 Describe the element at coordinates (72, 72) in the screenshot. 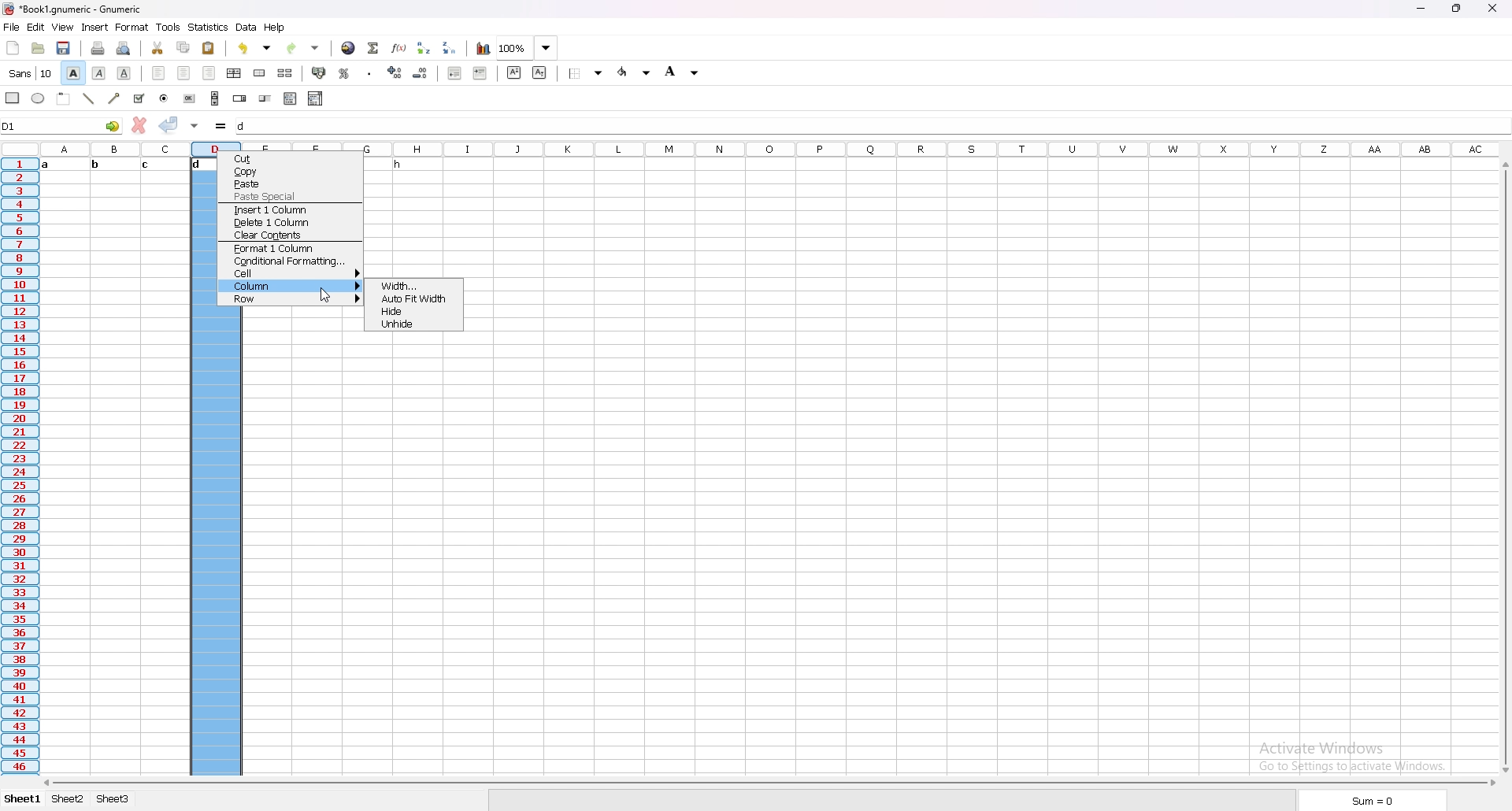

I see `bold` at that location.